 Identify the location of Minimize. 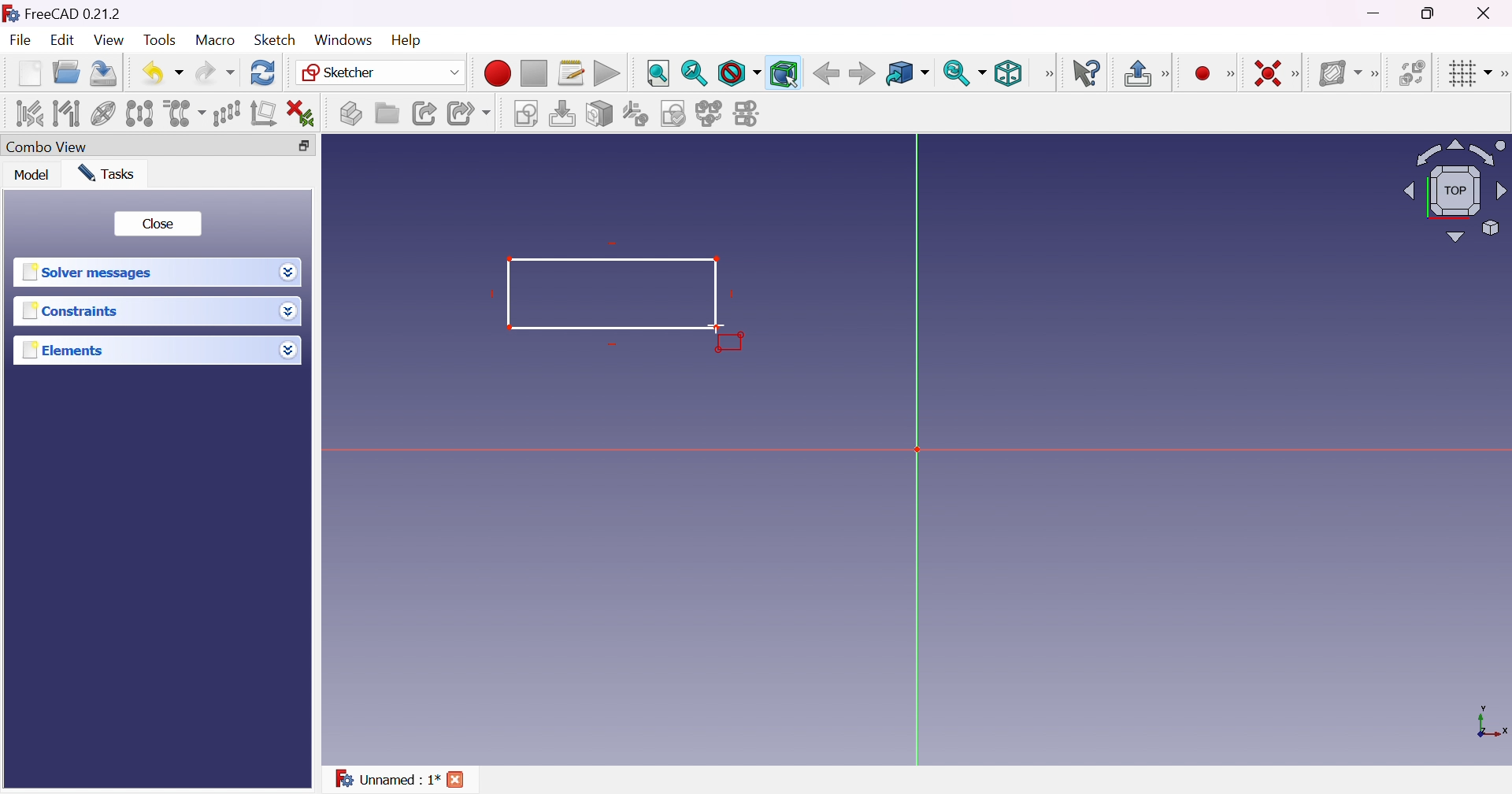
(1374, 13).